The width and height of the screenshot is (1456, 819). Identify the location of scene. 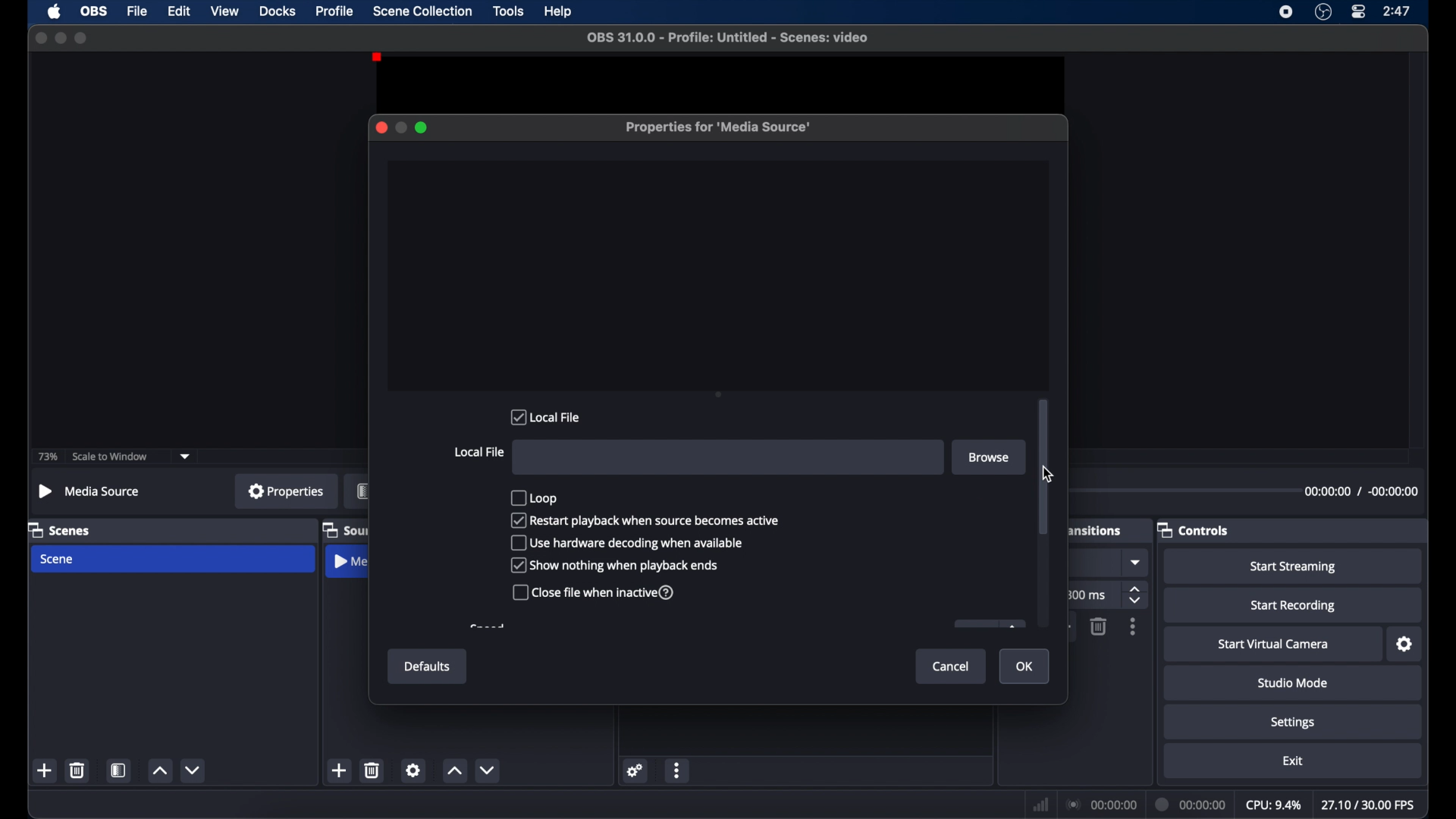
(58, 559).